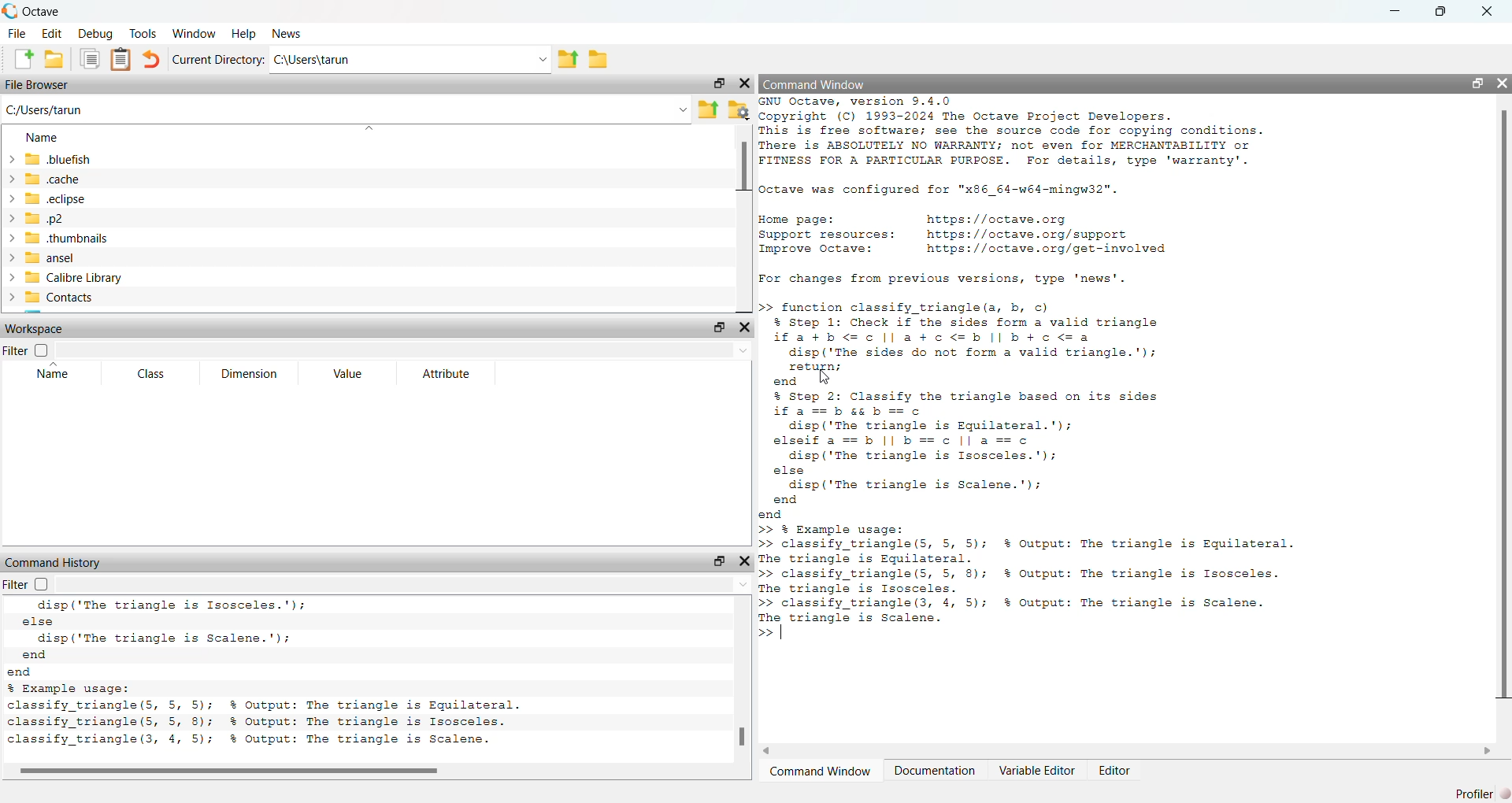 The height and width of the screenshot is (803, 1512). Describe the element at coordinates (745, 561) in the screenshot. I see `hide widget` at that location.